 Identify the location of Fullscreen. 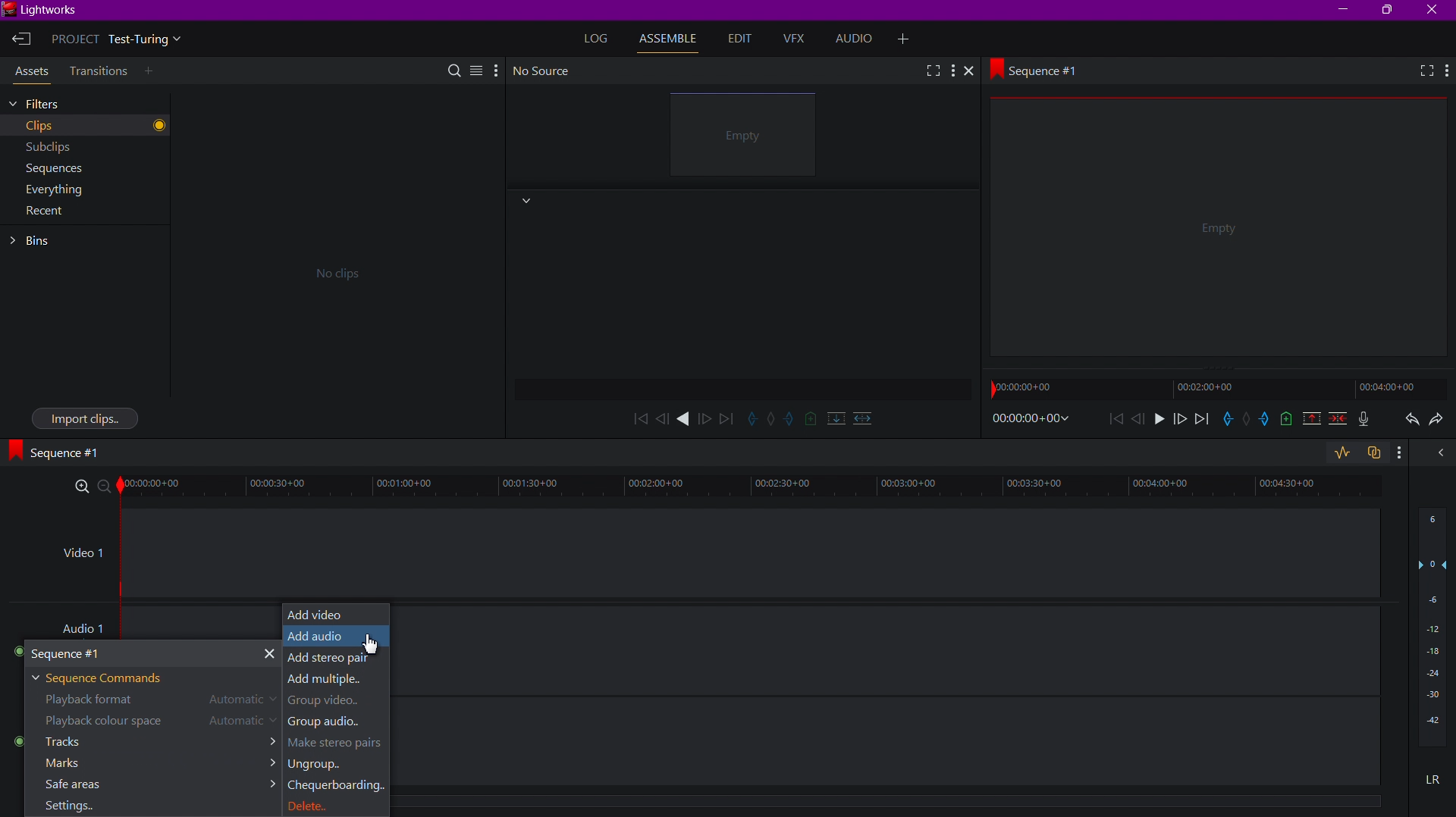
(1422, 72).